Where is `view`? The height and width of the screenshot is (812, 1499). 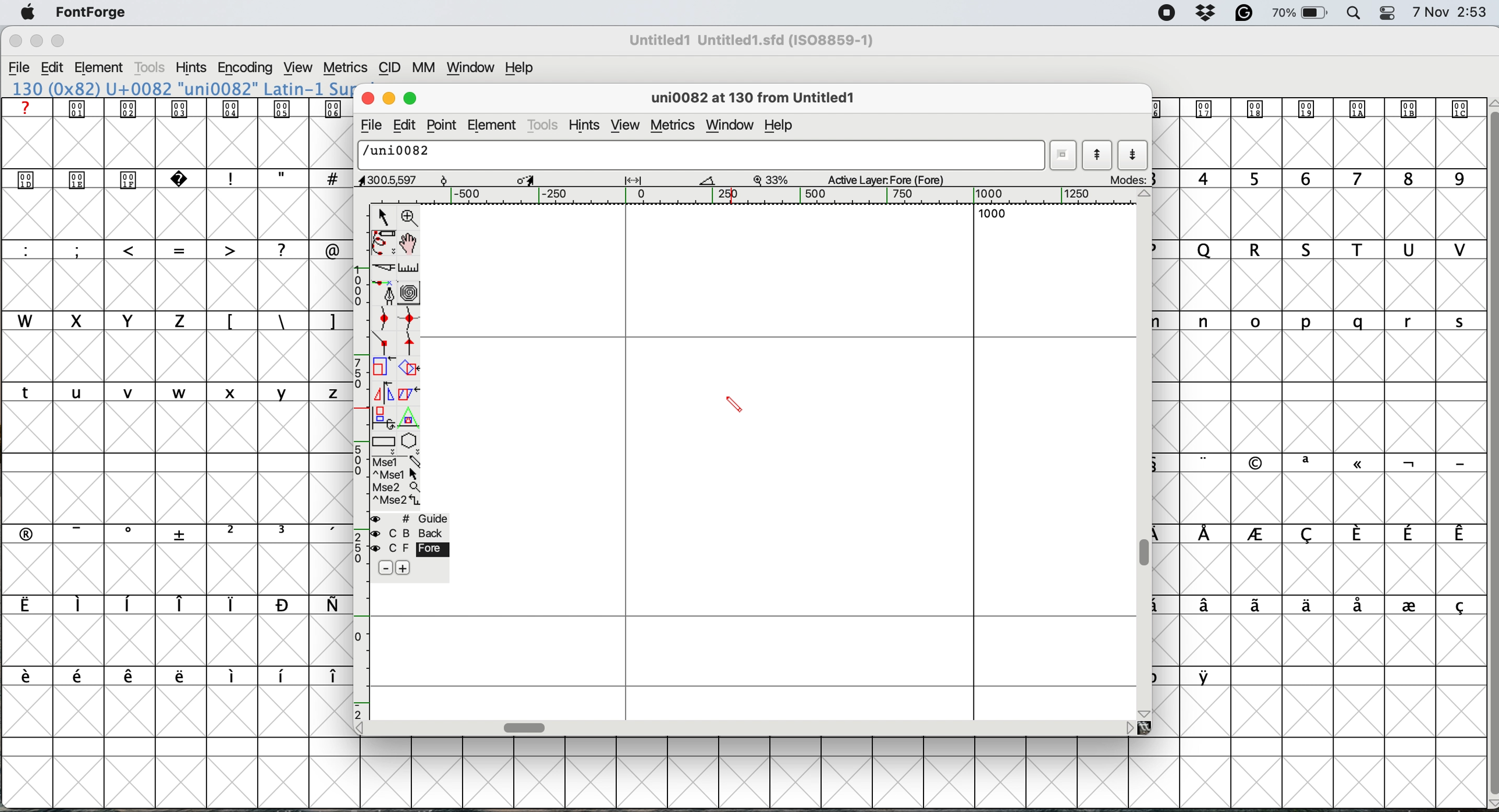
view is located at coordinates (300, 68).